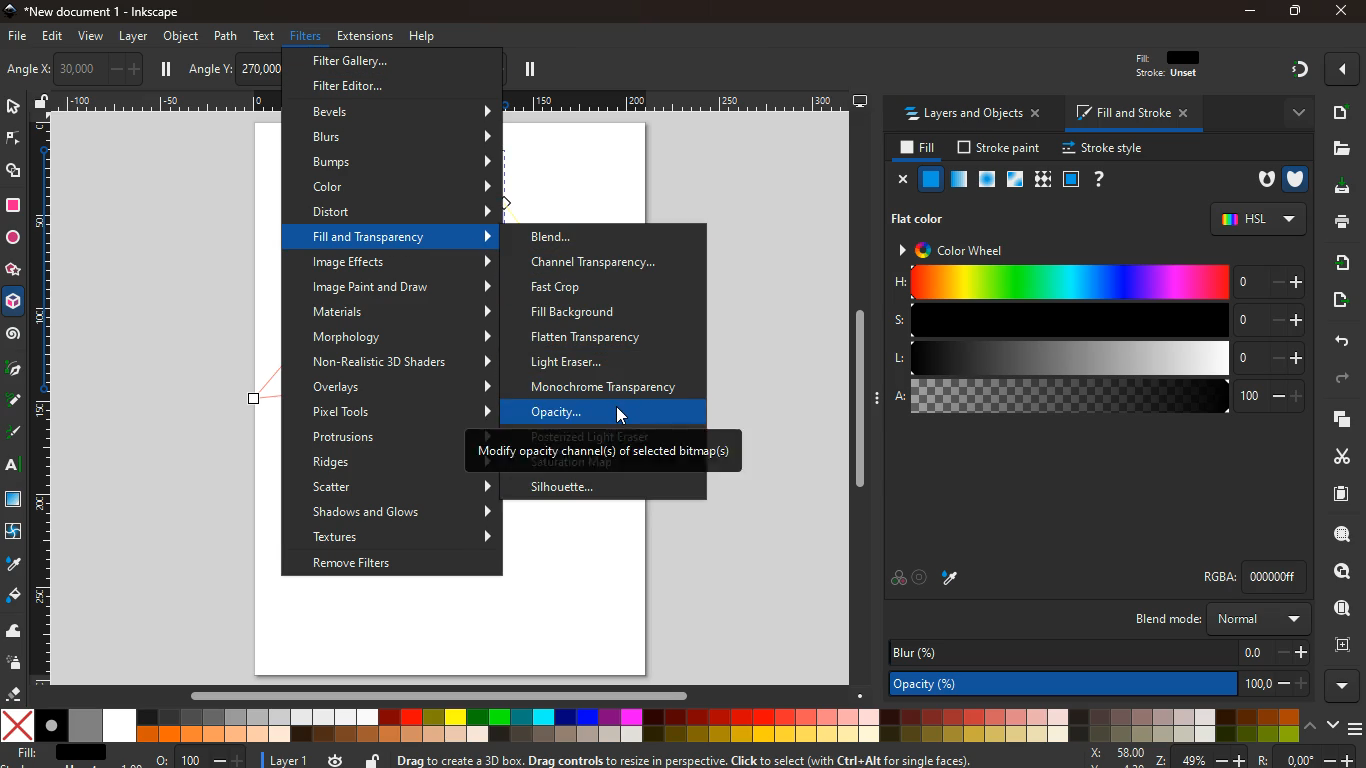  Describe the element at coordinates (1342, 645) in the screenshot. I see `frame` at that location.